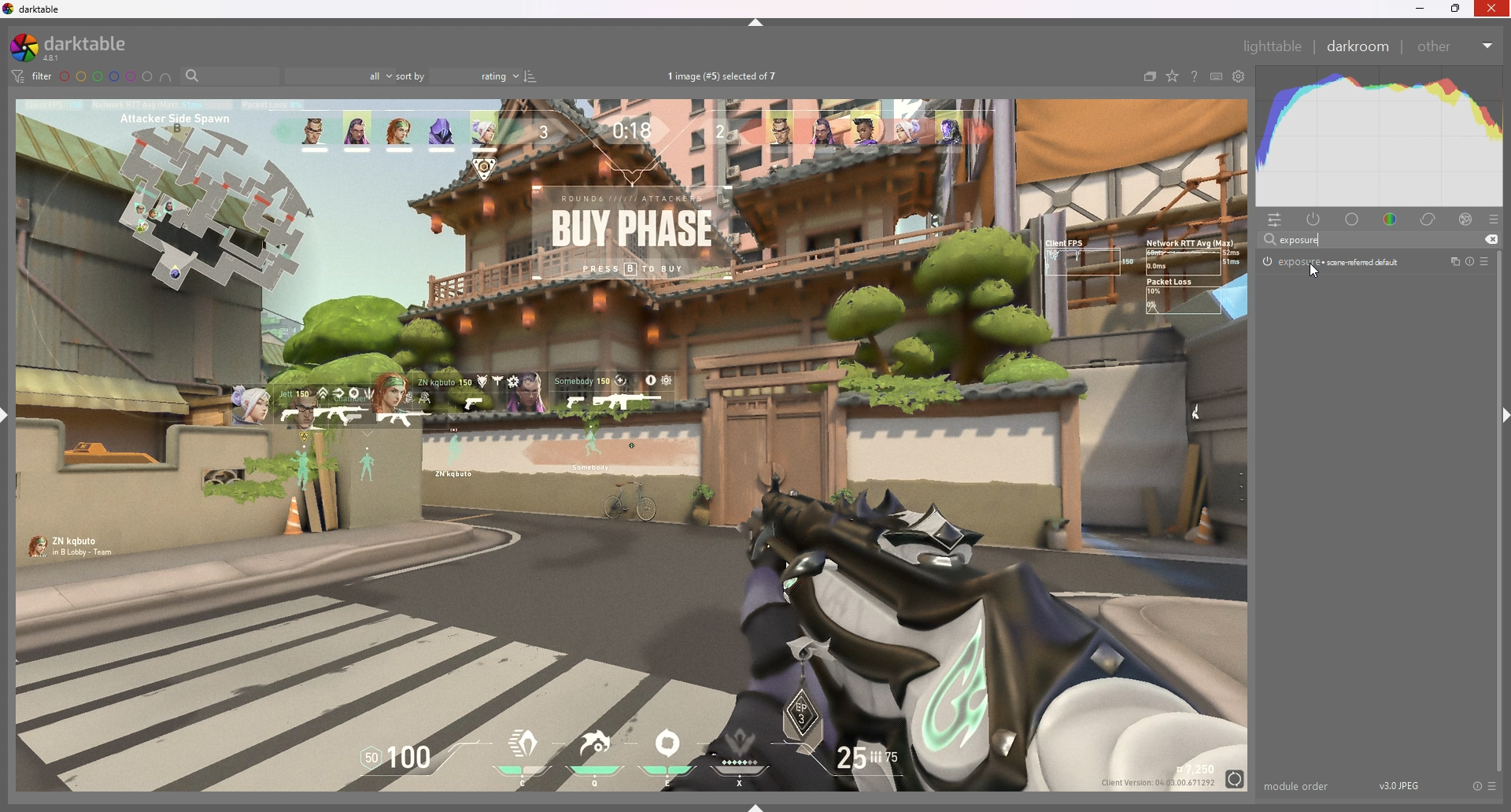 Image resolution: width=1511 pixels, height=812 pixels. Describe the element at coordinates (340, 76) in the screenshot. I see `filter by images rating` at that location.